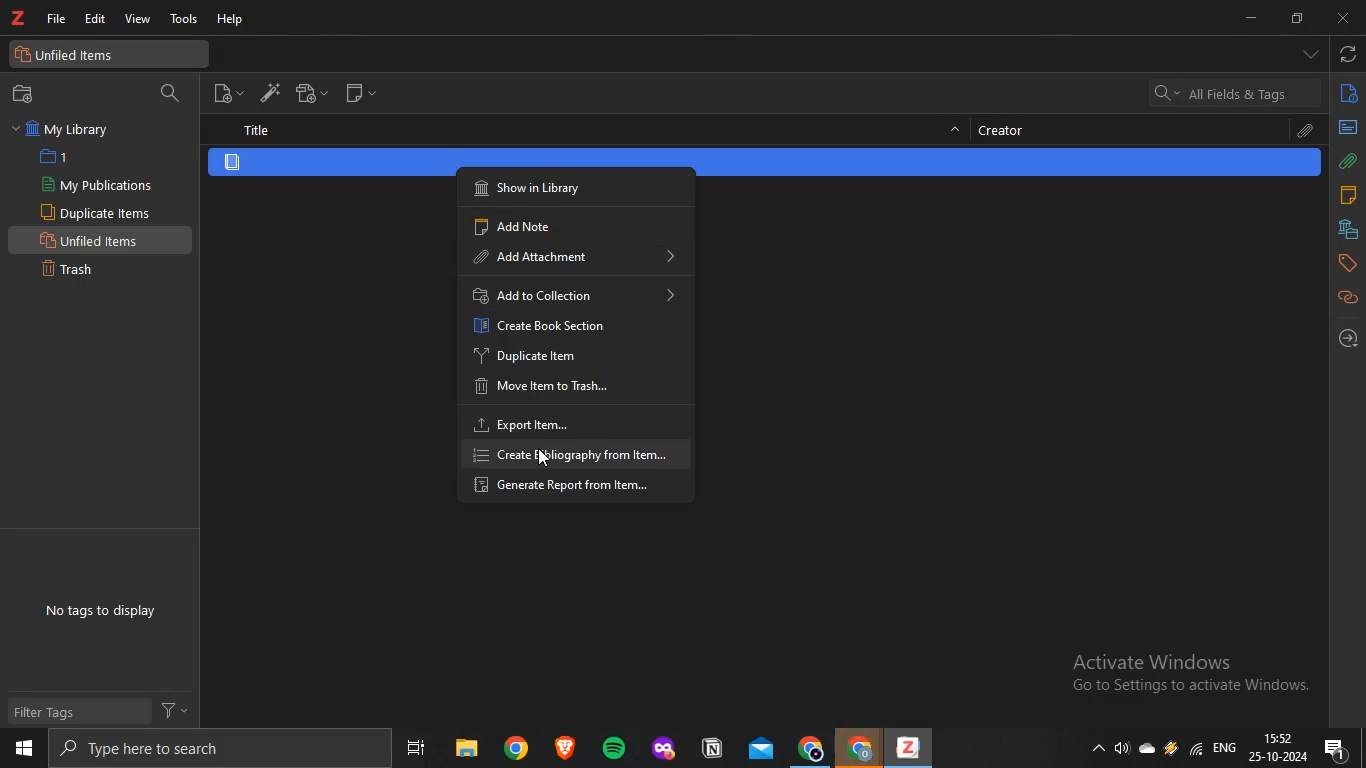  Describe the element at coordinates (1171, 747) in the screenshot. I see `drive` at that location.